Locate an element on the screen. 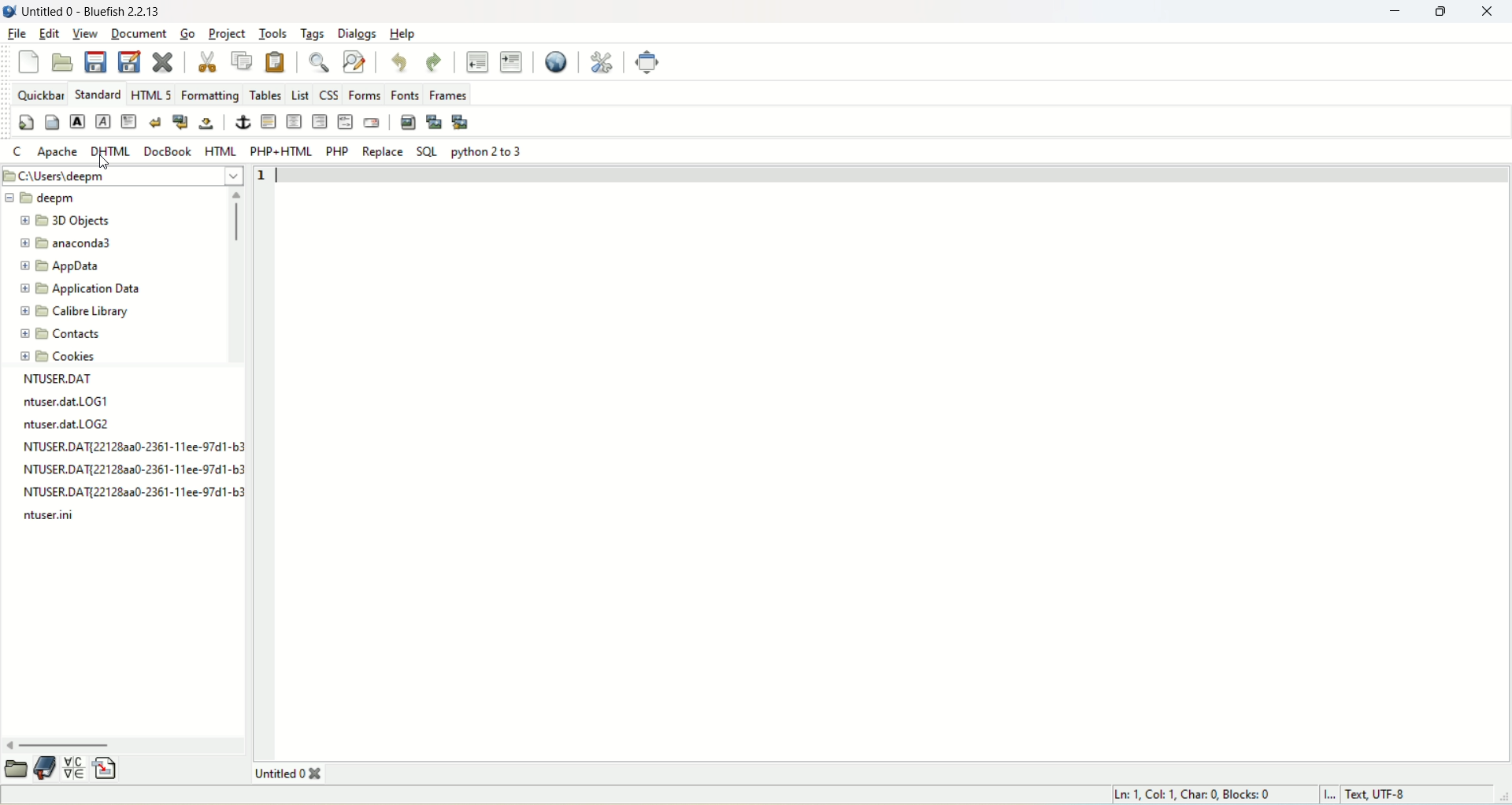 The image size is (1512, 805). formatting is located at coordinates (210, 95).